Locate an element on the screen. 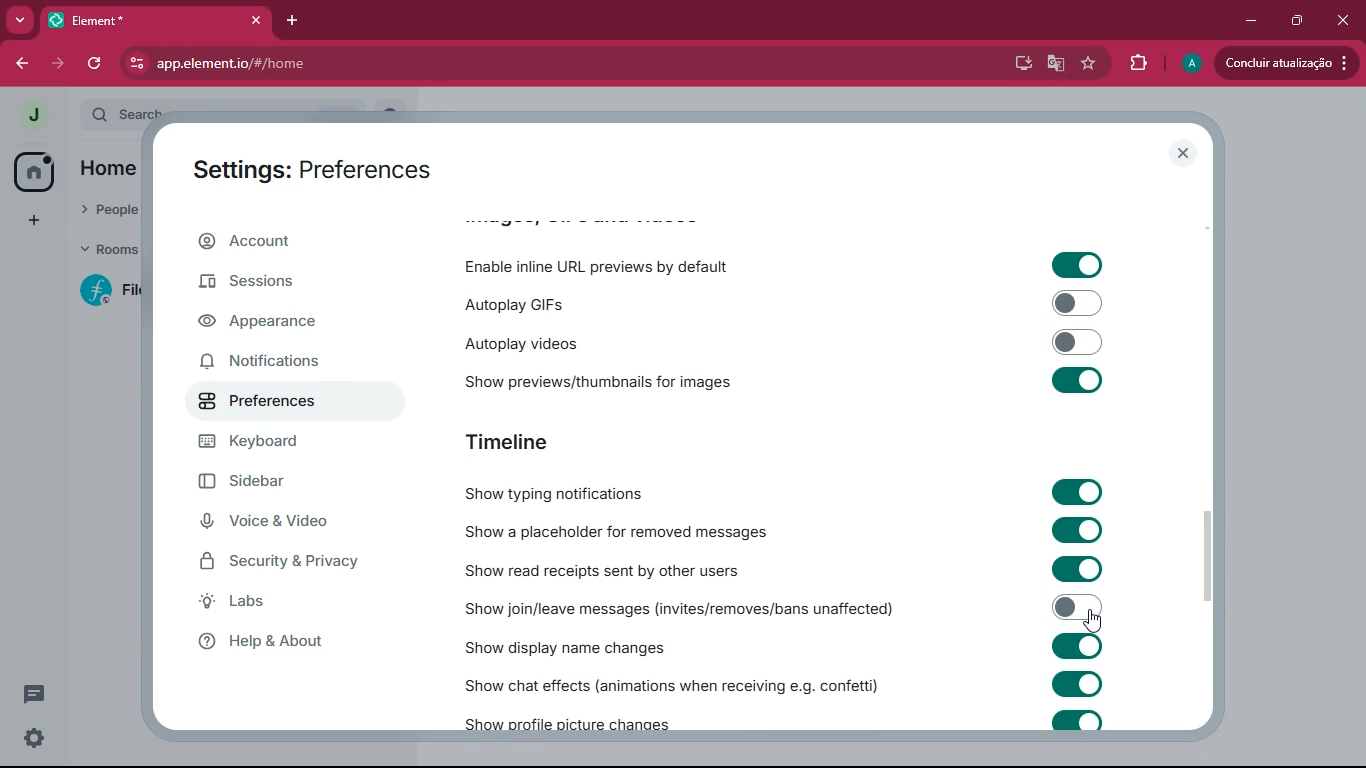 This screenshot has height=768, width=1366. appearance is located at coordinates (271, 321).